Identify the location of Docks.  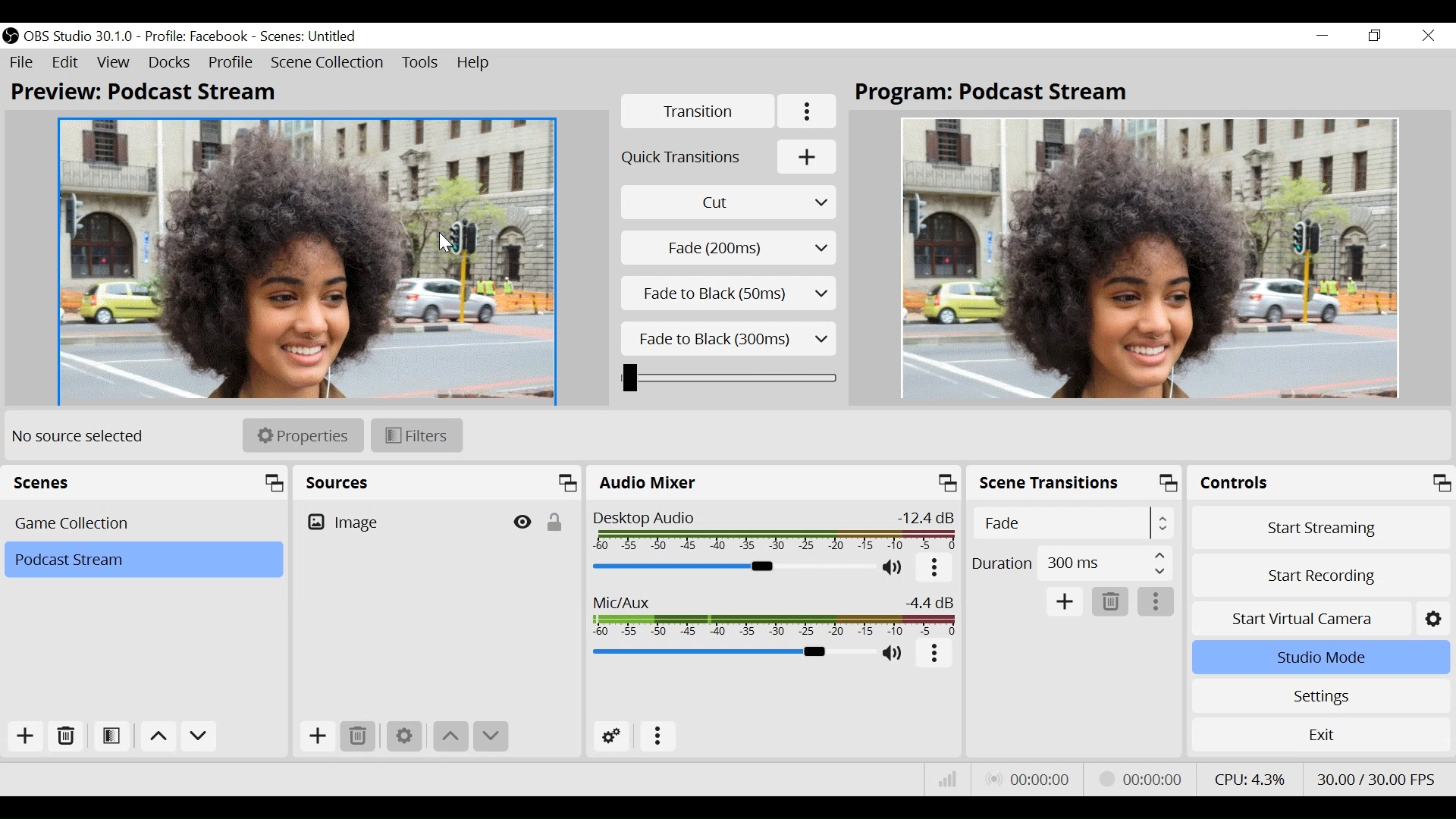
(170, 63).